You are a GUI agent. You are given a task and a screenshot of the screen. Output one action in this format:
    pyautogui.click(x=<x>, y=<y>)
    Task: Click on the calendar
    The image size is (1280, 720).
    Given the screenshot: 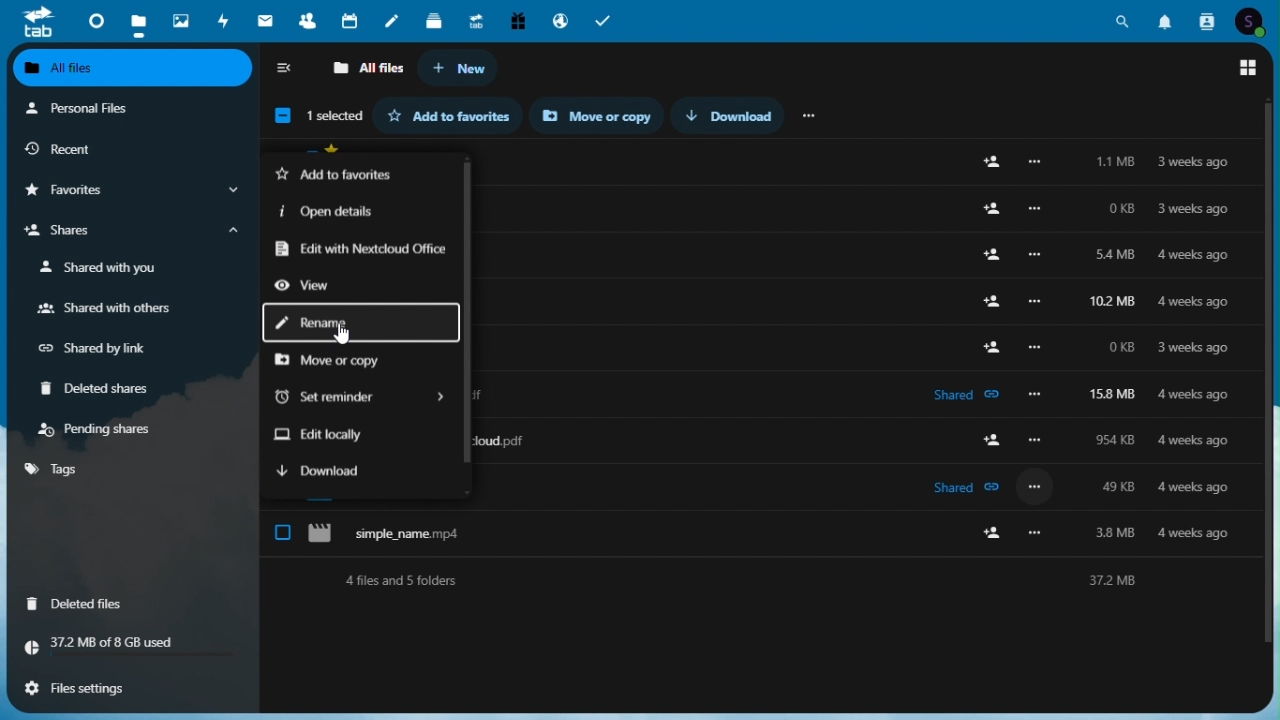 What is the action you would take?
    pyautogui.click(x=352, y=19)
    